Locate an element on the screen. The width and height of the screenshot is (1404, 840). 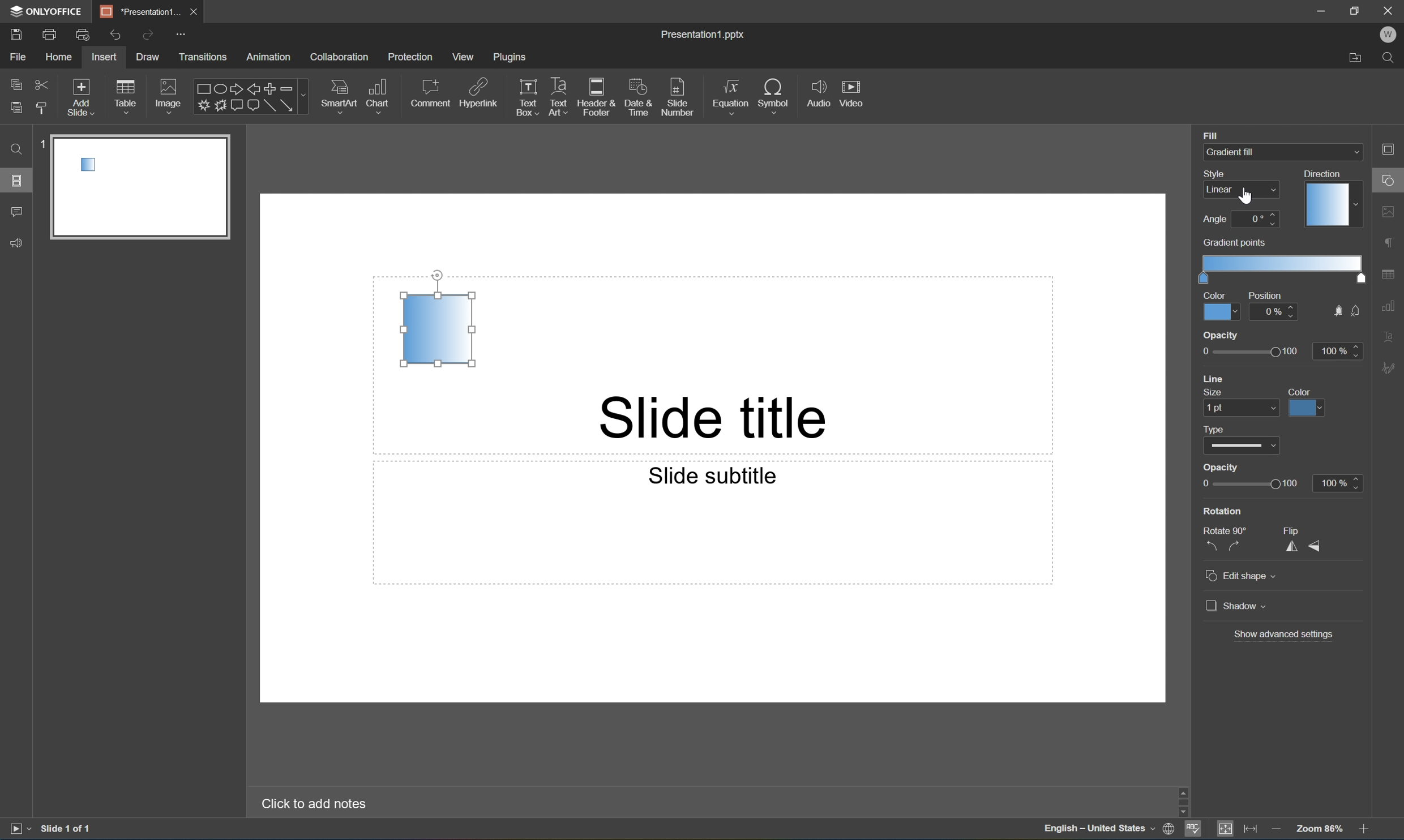
Slide title is located at coordinates (733, 419).